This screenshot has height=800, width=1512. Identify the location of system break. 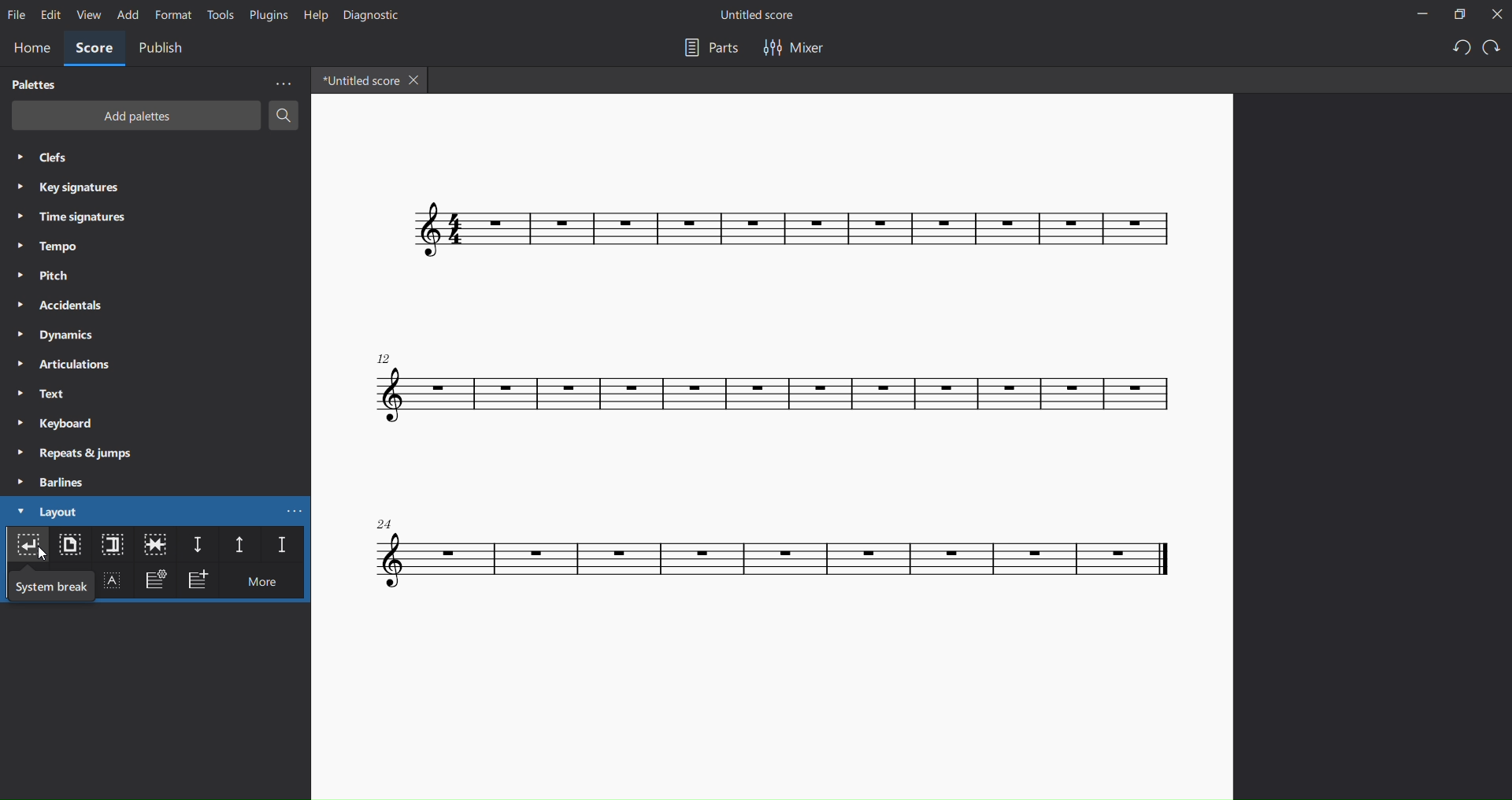
(50, 589).